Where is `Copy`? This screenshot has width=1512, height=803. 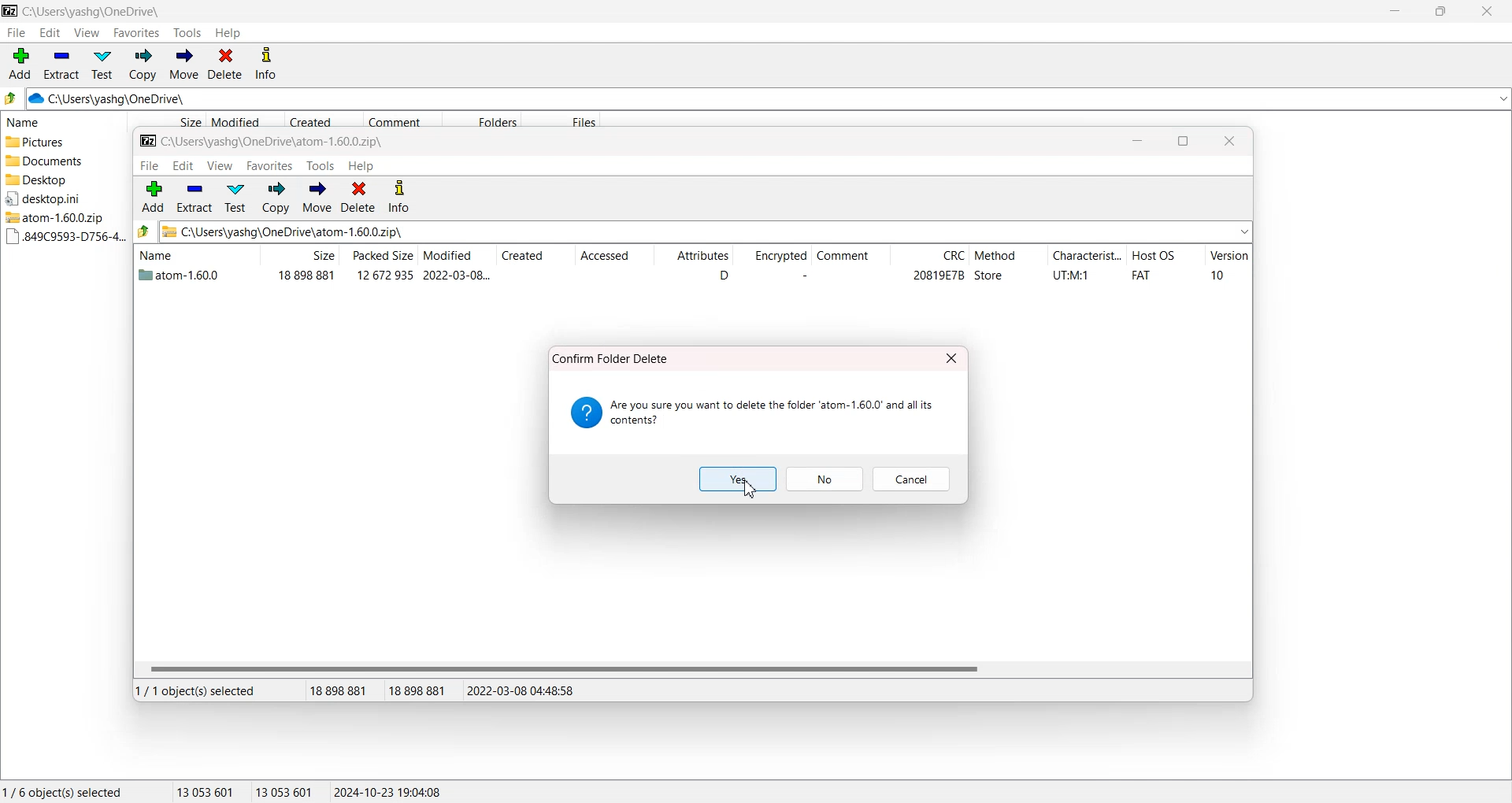 Copy is located at coordinates (142, 65).